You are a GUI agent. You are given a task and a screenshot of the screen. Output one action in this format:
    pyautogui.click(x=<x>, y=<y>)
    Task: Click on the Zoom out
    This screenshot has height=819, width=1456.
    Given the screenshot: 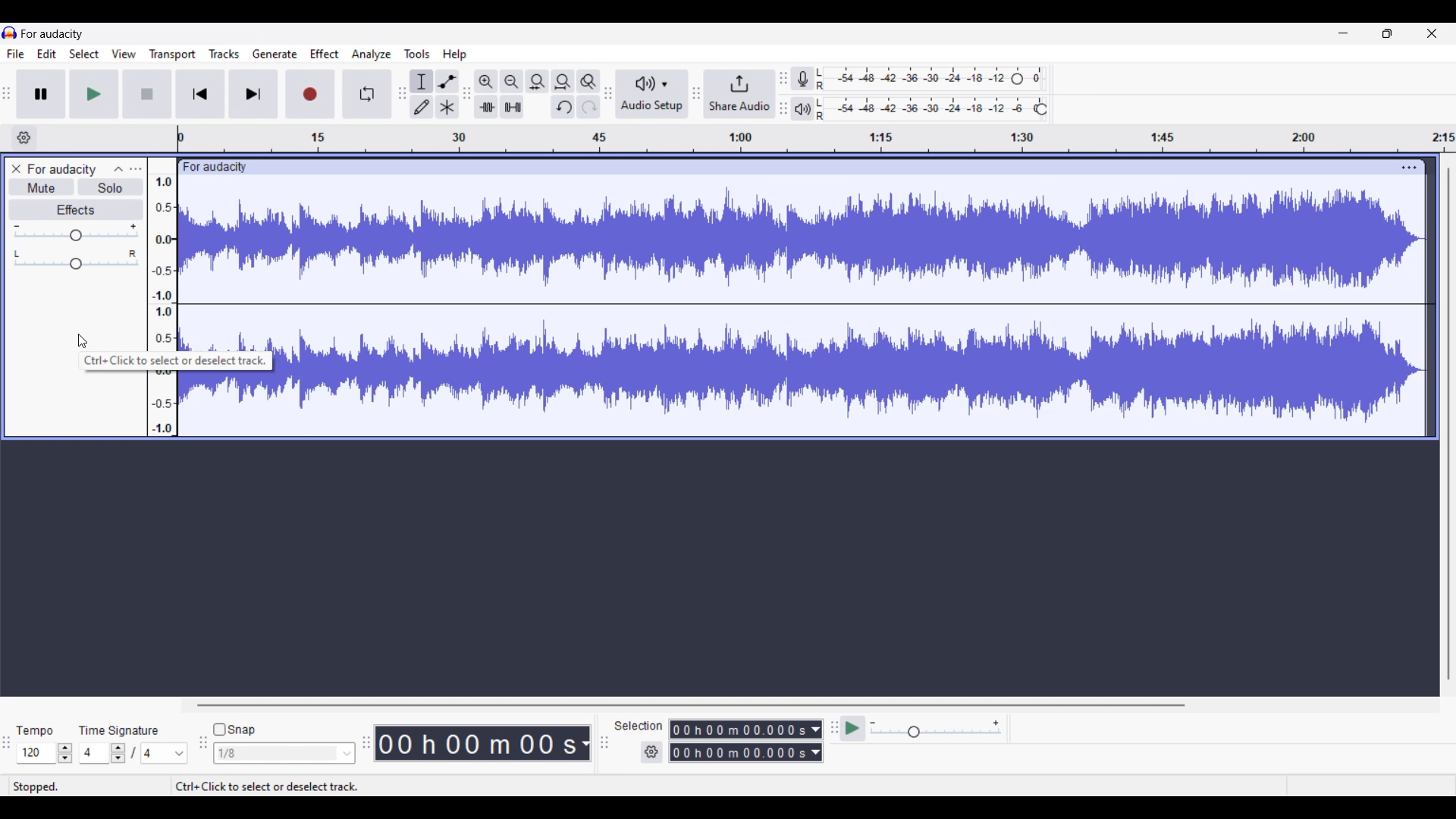 What is the action you would take?
    pyautogui.click(x=513, y=82)
    